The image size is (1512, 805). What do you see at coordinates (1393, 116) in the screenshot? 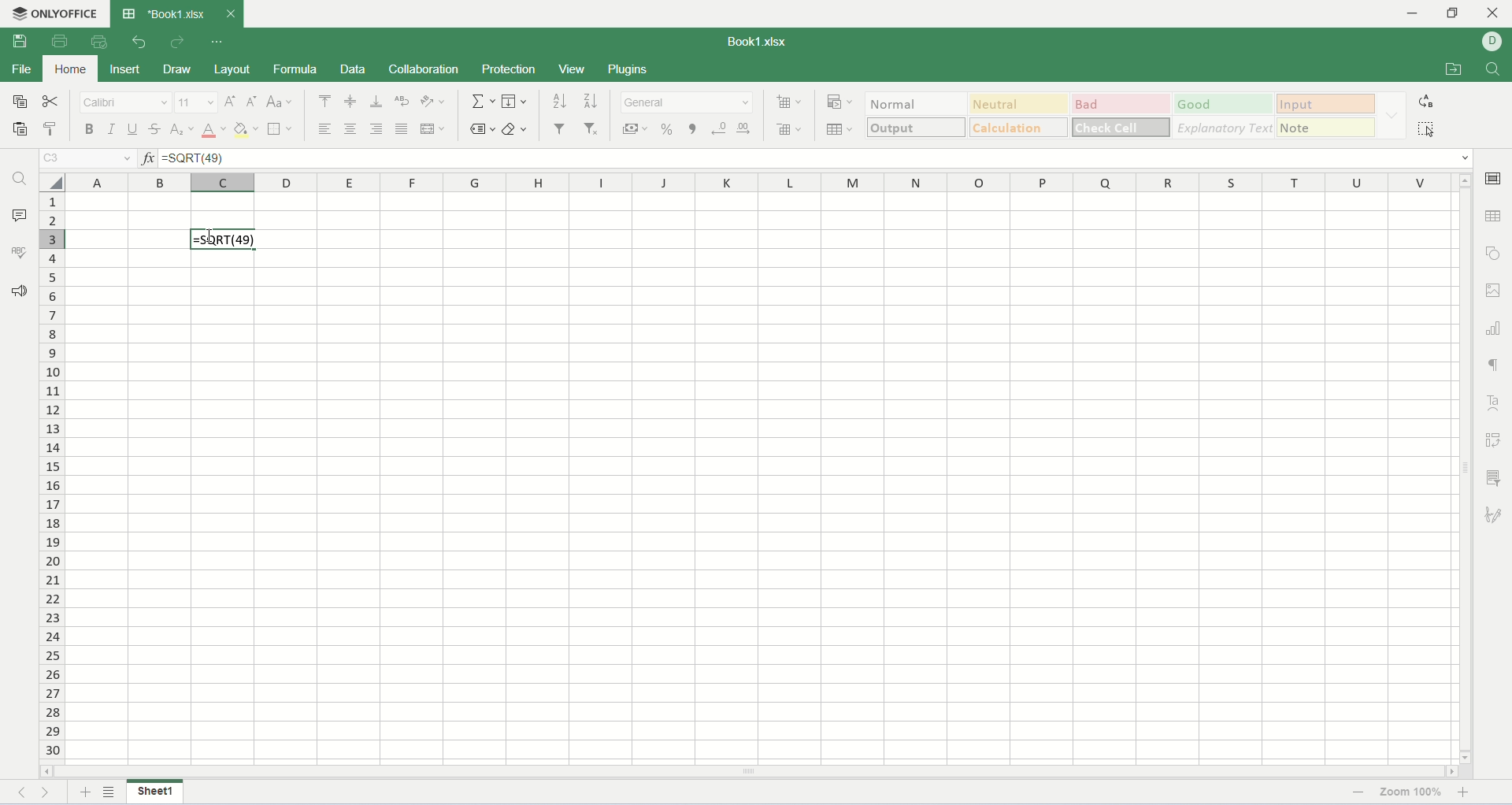
I see `style option` at bounding box center [1393, 116].